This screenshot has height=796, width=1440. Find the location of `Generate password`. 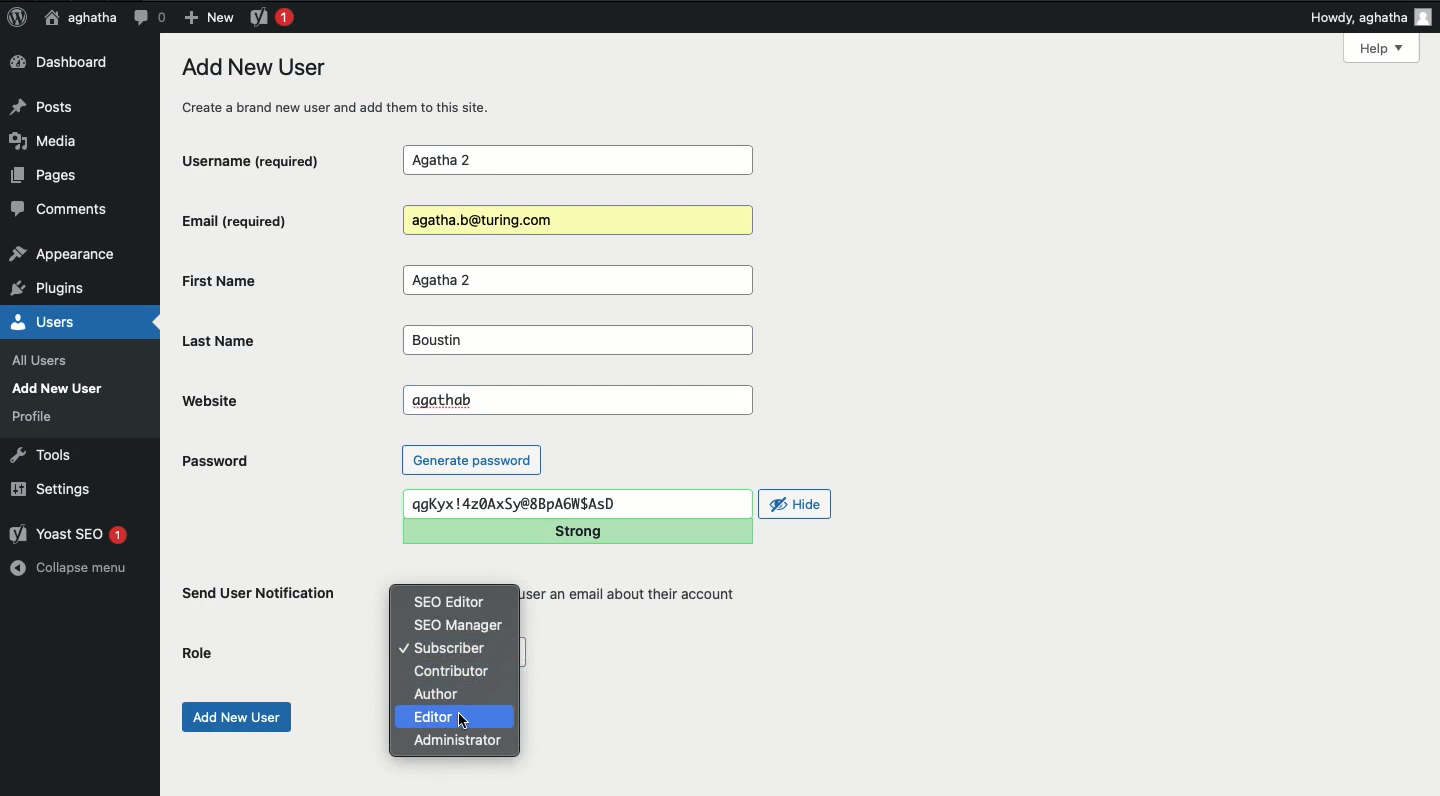

Generate password is located at coordinates (472, 459).